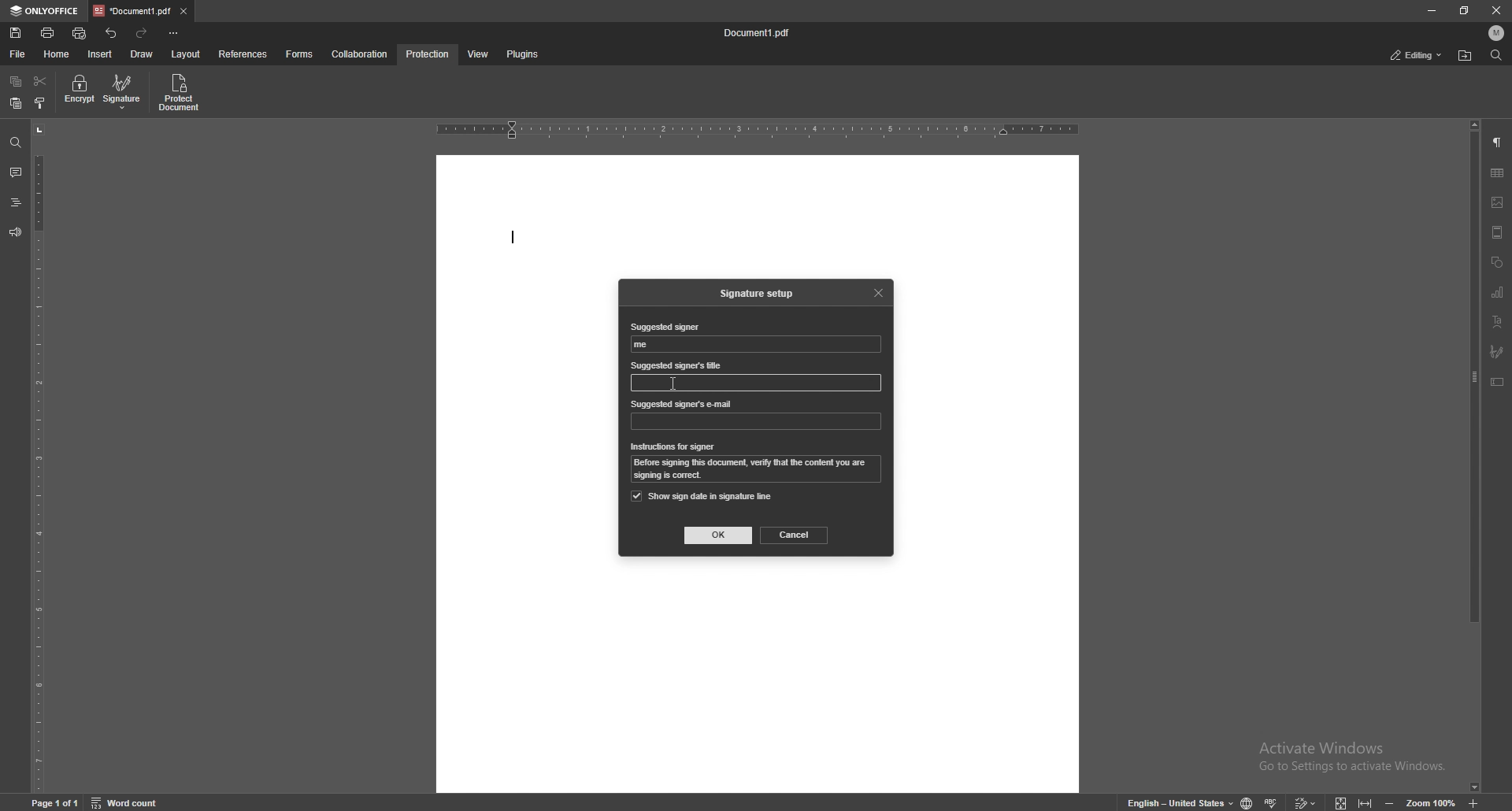  I want to click on layout, so click(185, 55).